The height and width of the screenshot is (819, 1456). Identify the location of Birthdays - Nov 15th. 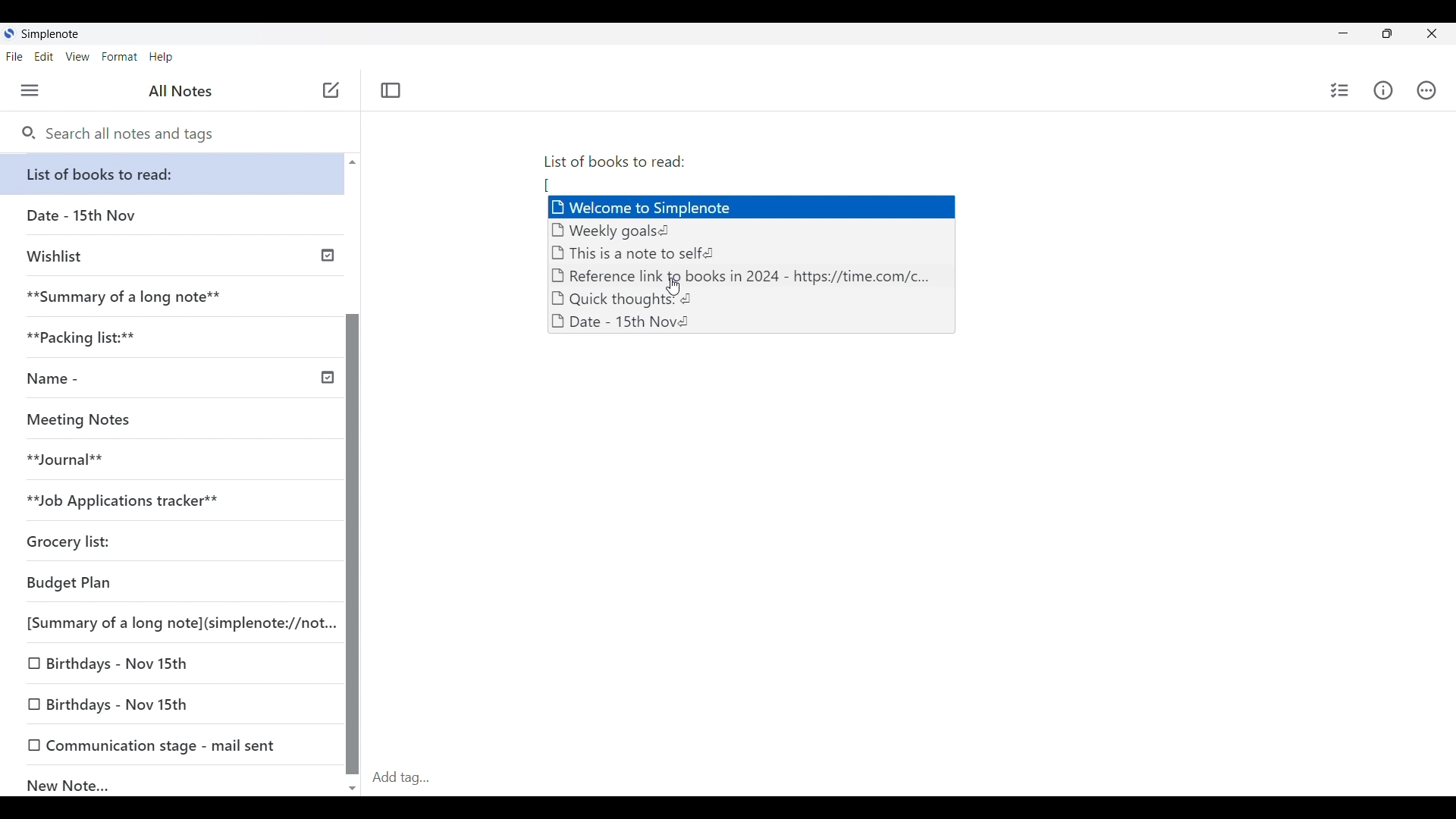
(174, 705).